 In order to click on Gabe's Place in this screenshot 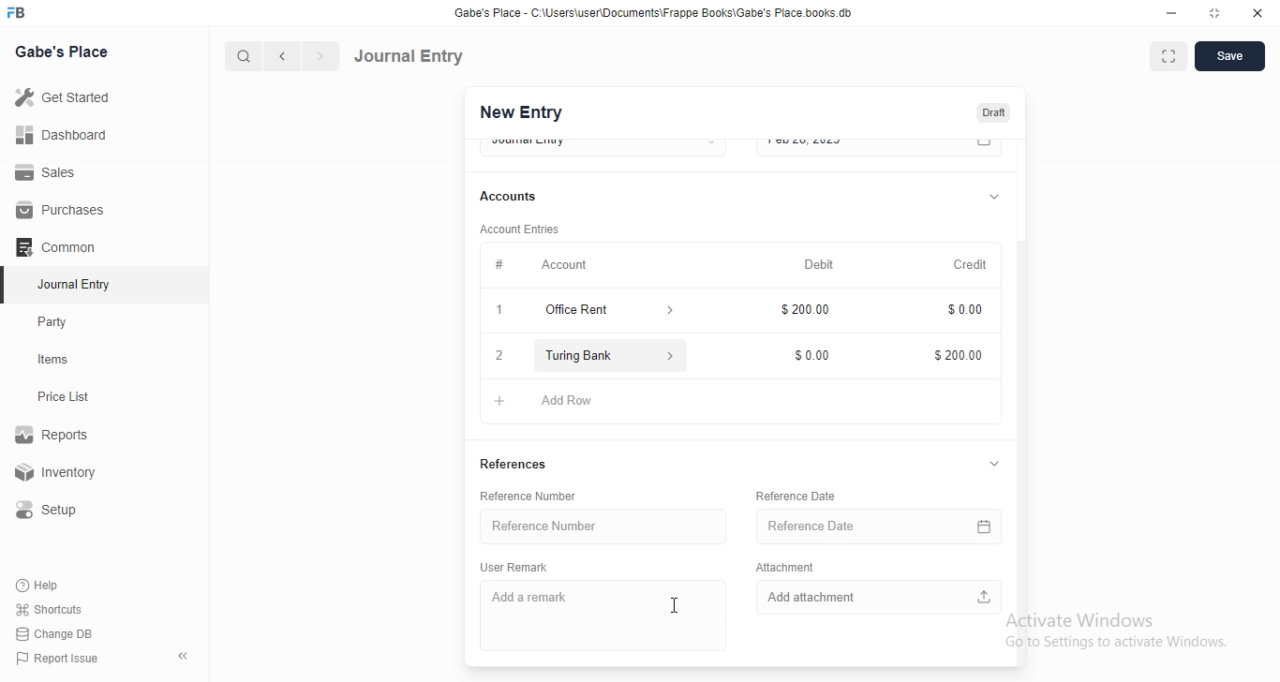, I will do `click(64, 51)`.